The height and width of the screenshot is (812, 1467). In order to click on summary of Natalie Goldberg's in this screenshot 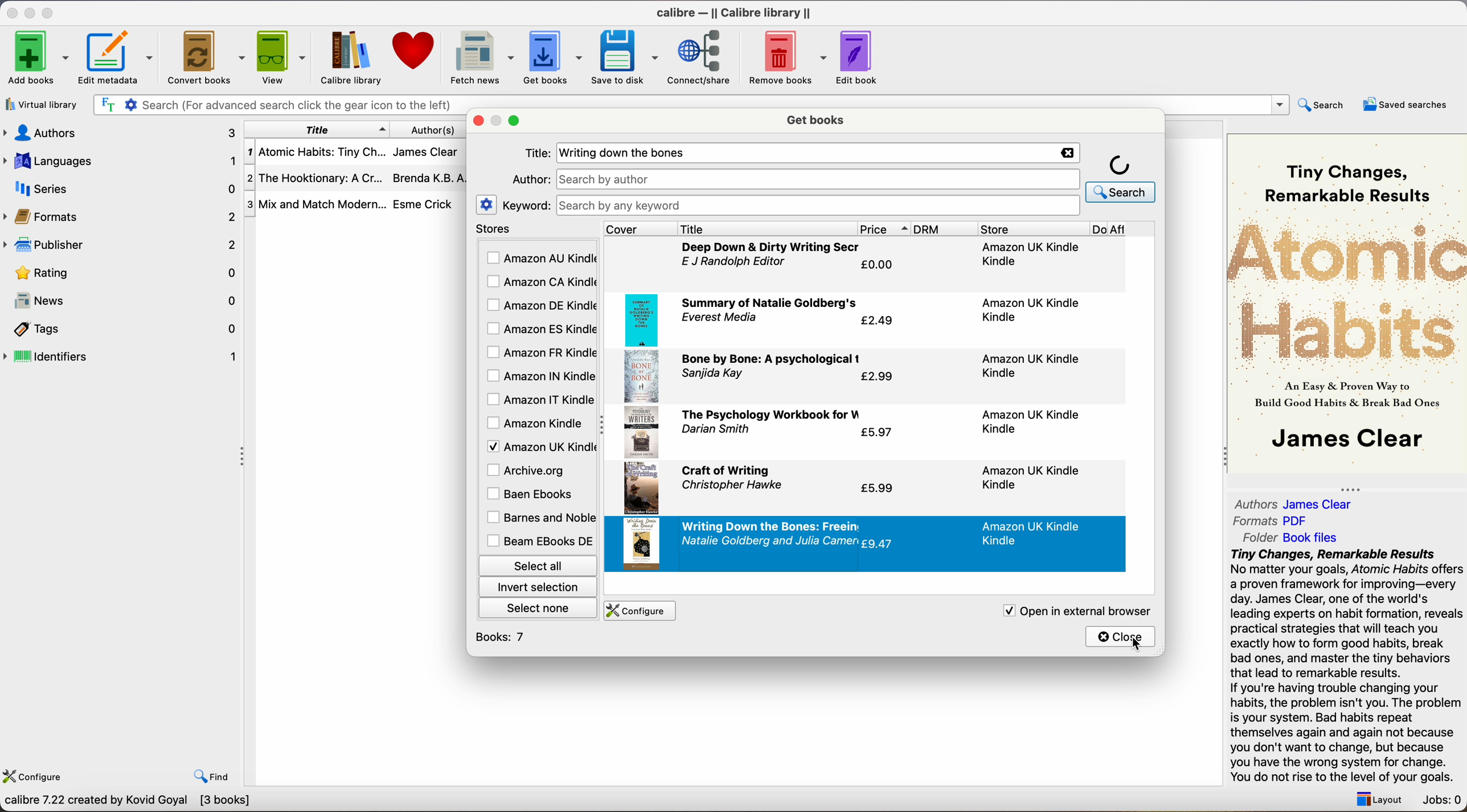, I will do `click(769, 302)`.